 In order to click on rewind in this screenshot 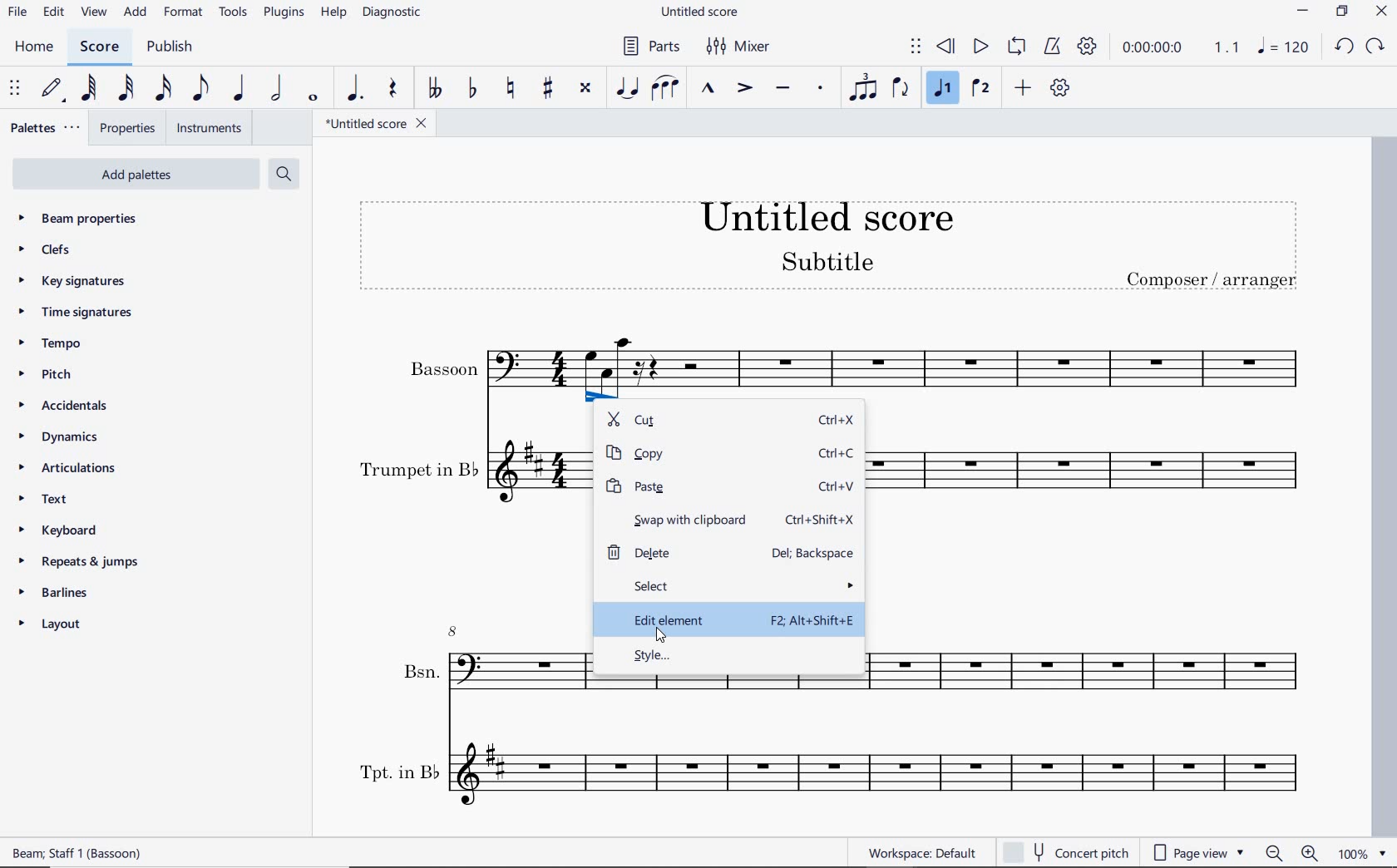, I will do `click(946, 47)`.